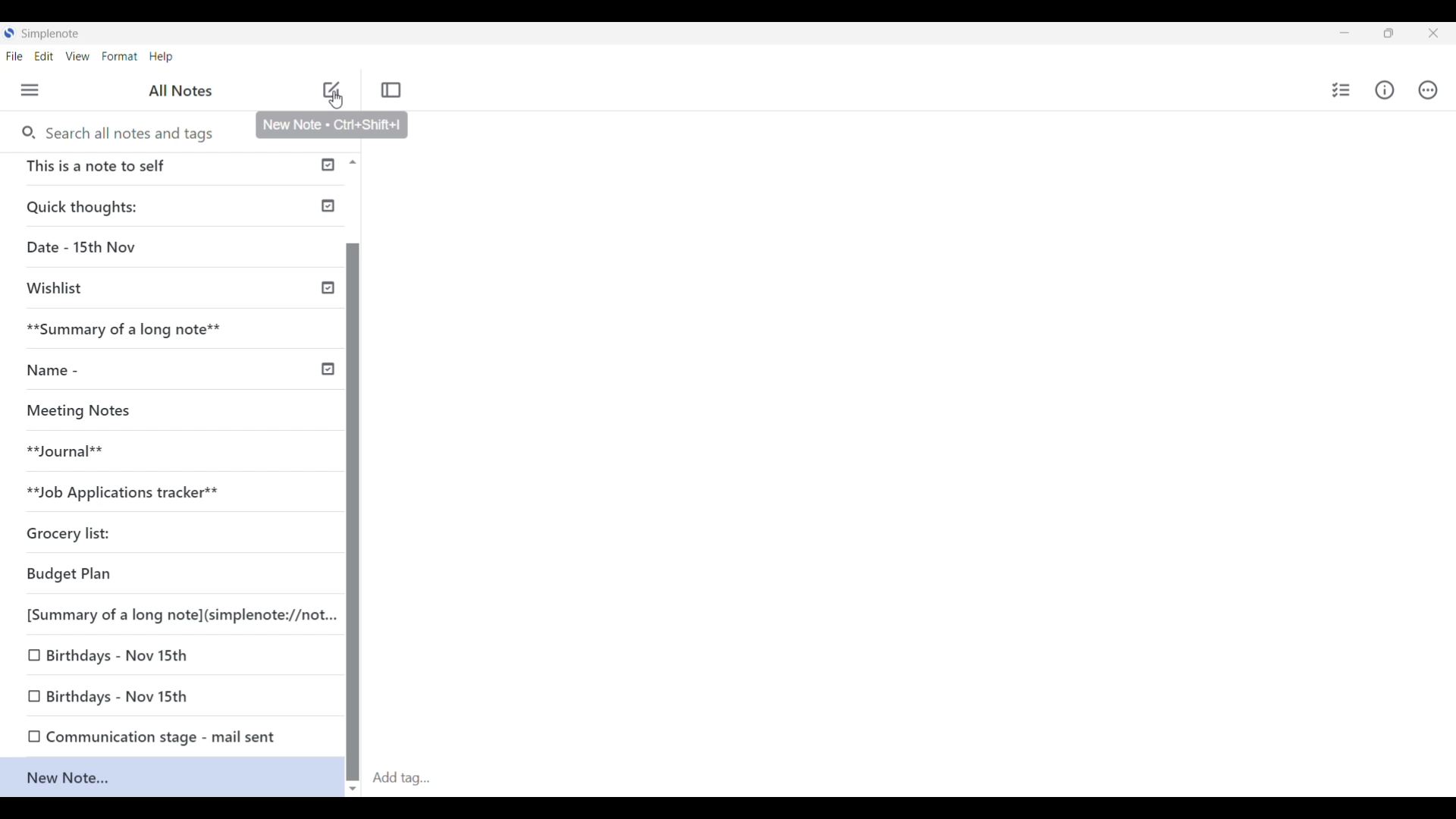  What do you see at coordinates (113, 574) in the screenshot?
I see `Budget Plan` at bounding box center [113, 574].